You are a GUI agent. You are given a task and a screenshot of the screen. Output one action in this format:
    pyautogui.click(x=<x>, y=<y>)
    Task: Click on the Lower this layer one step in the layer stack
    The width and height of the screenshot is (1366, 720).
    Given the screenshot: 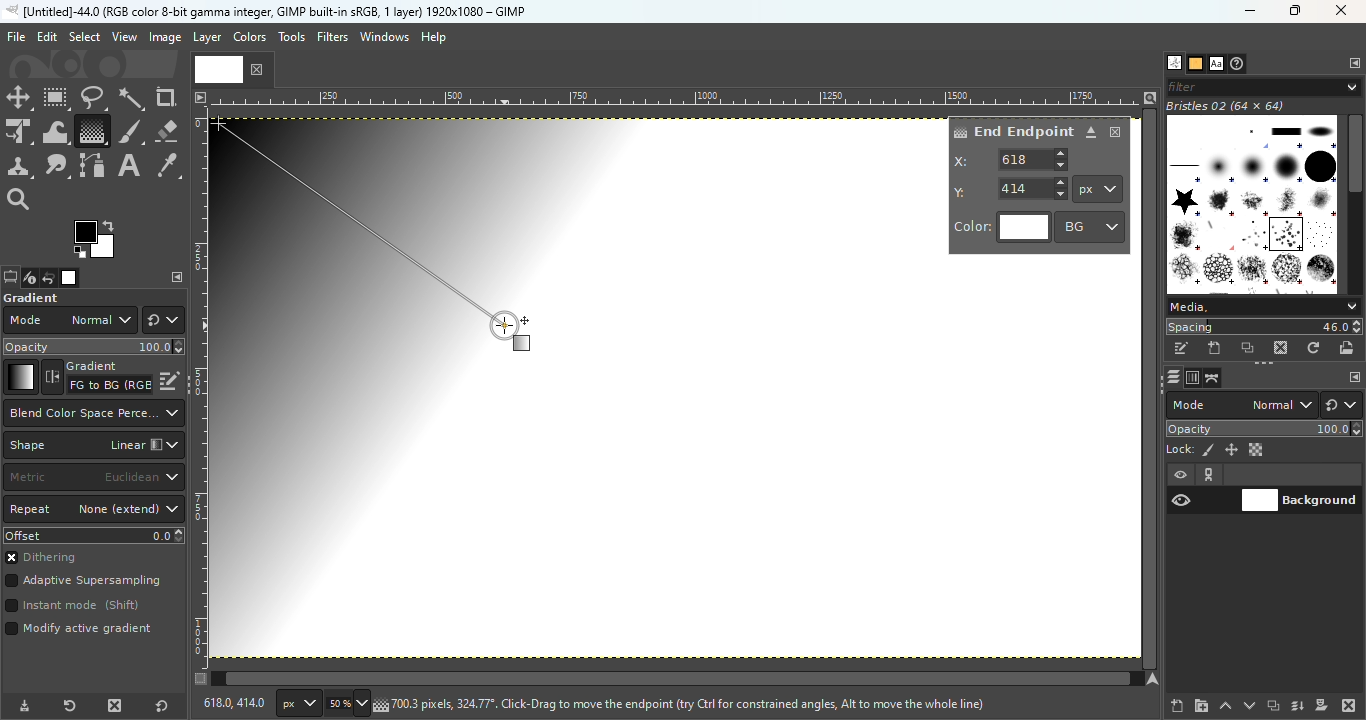 What is the action you would take?
    pyautogui.click(x=1249, y=706)
    